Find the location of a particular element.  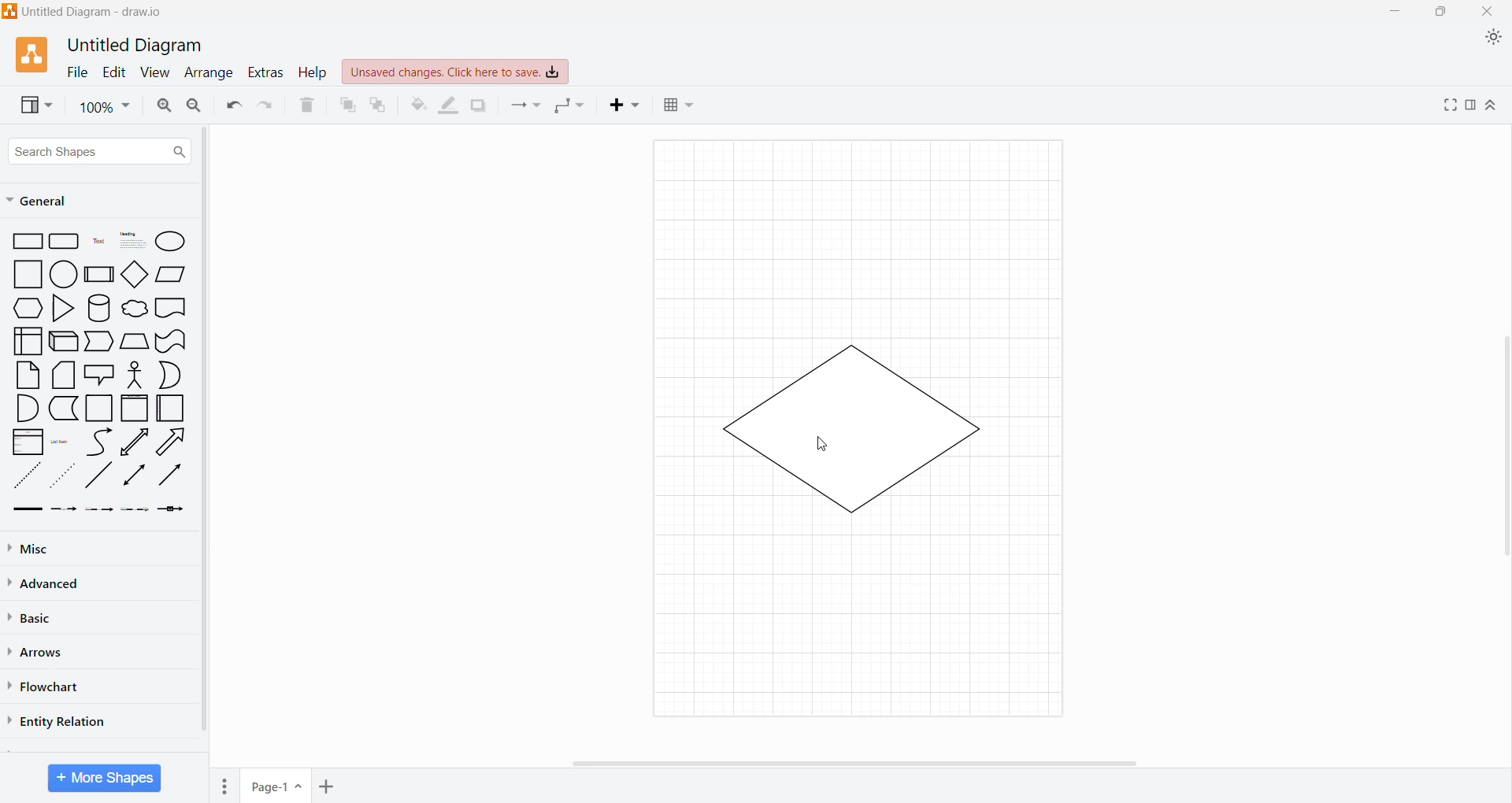

File is located at coordinates (73, 72).